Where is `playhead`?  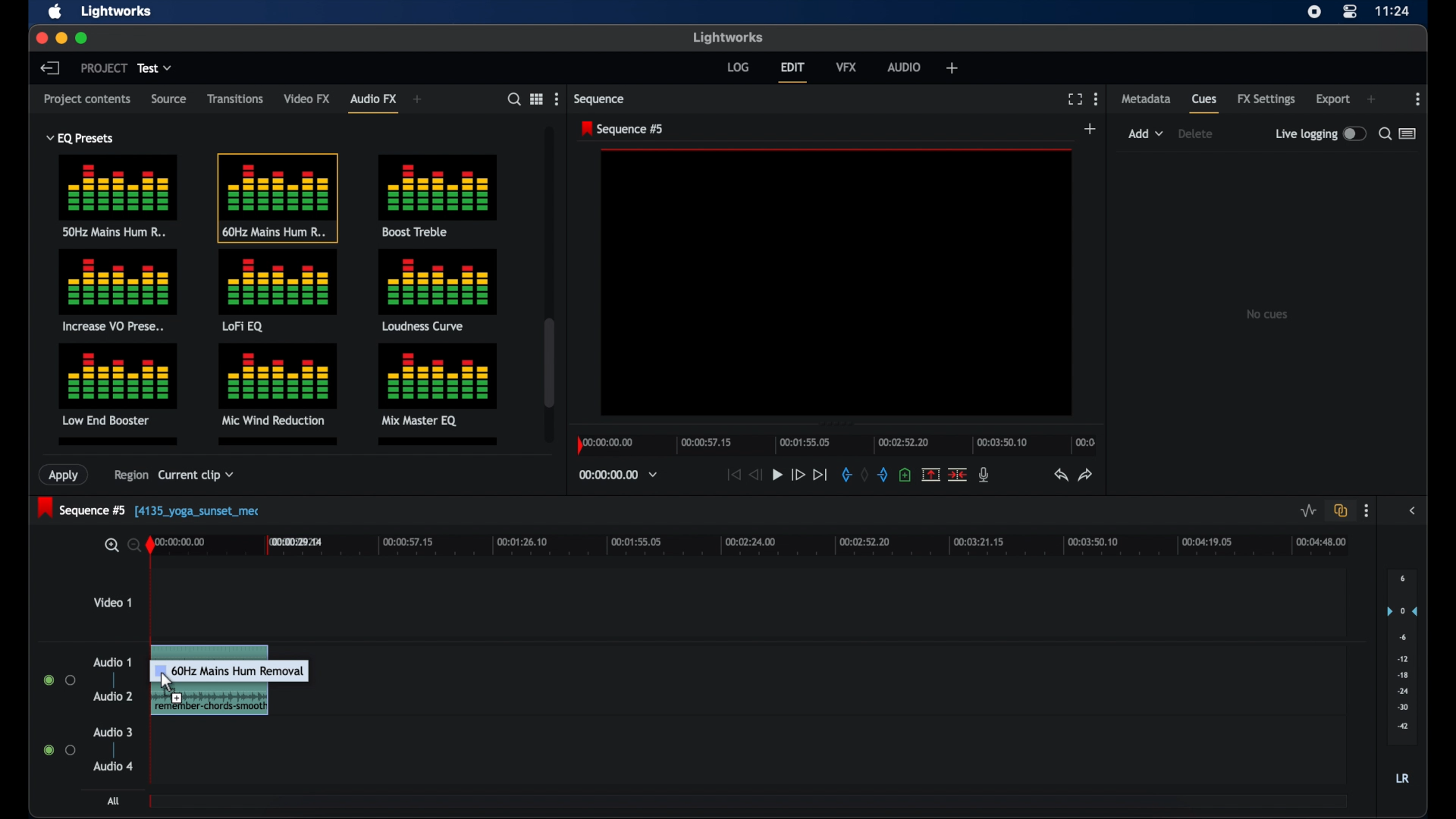
playhead is located at coordinates (150, 544).